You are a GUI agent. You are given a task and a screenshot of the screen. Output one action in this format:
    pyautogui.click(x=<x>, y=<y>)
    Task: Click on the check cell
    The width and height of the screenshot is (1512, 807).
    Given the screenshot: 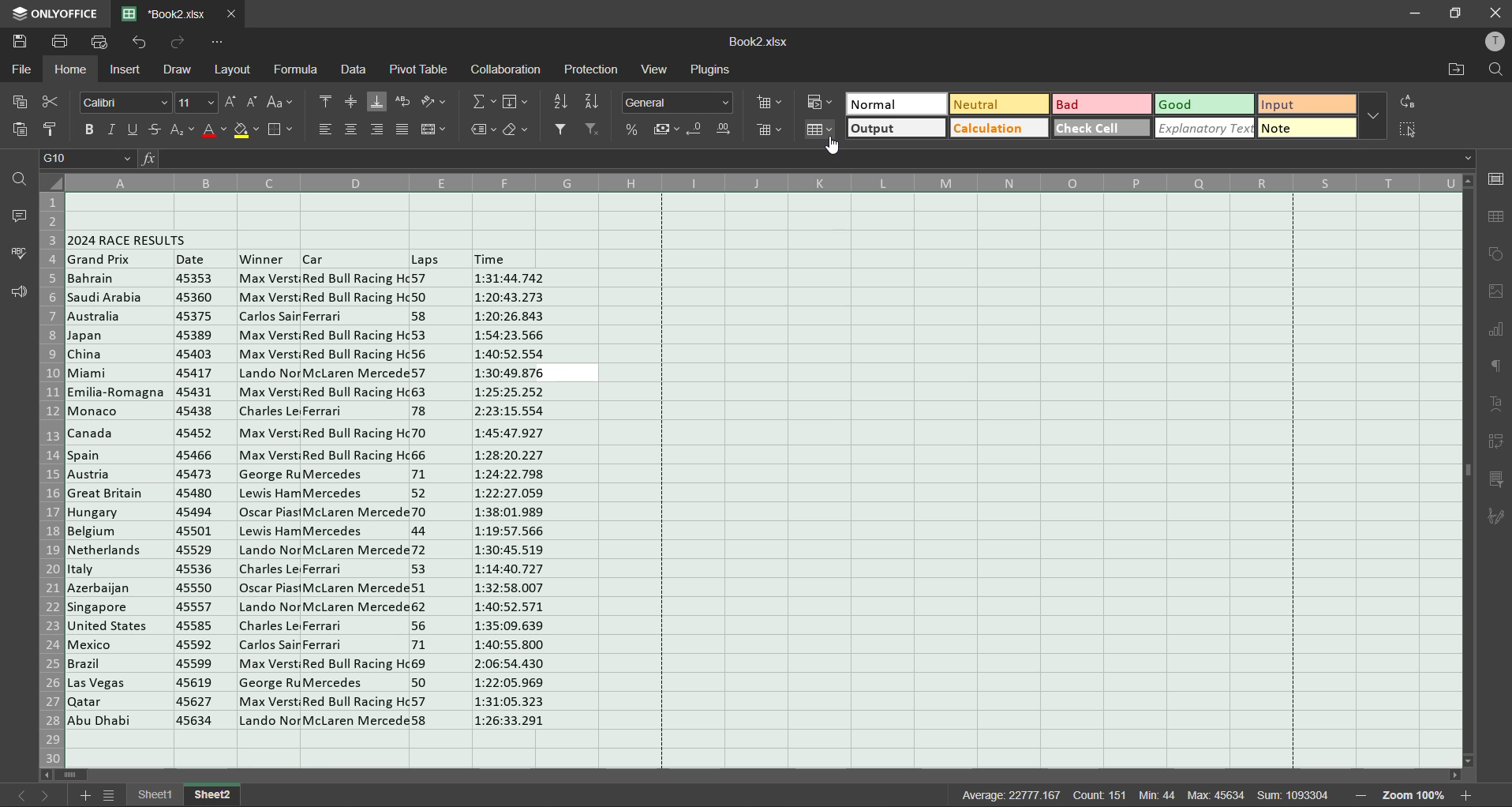 What is the action you would take?
    pyautogui.click(x=1100, y=129)
    